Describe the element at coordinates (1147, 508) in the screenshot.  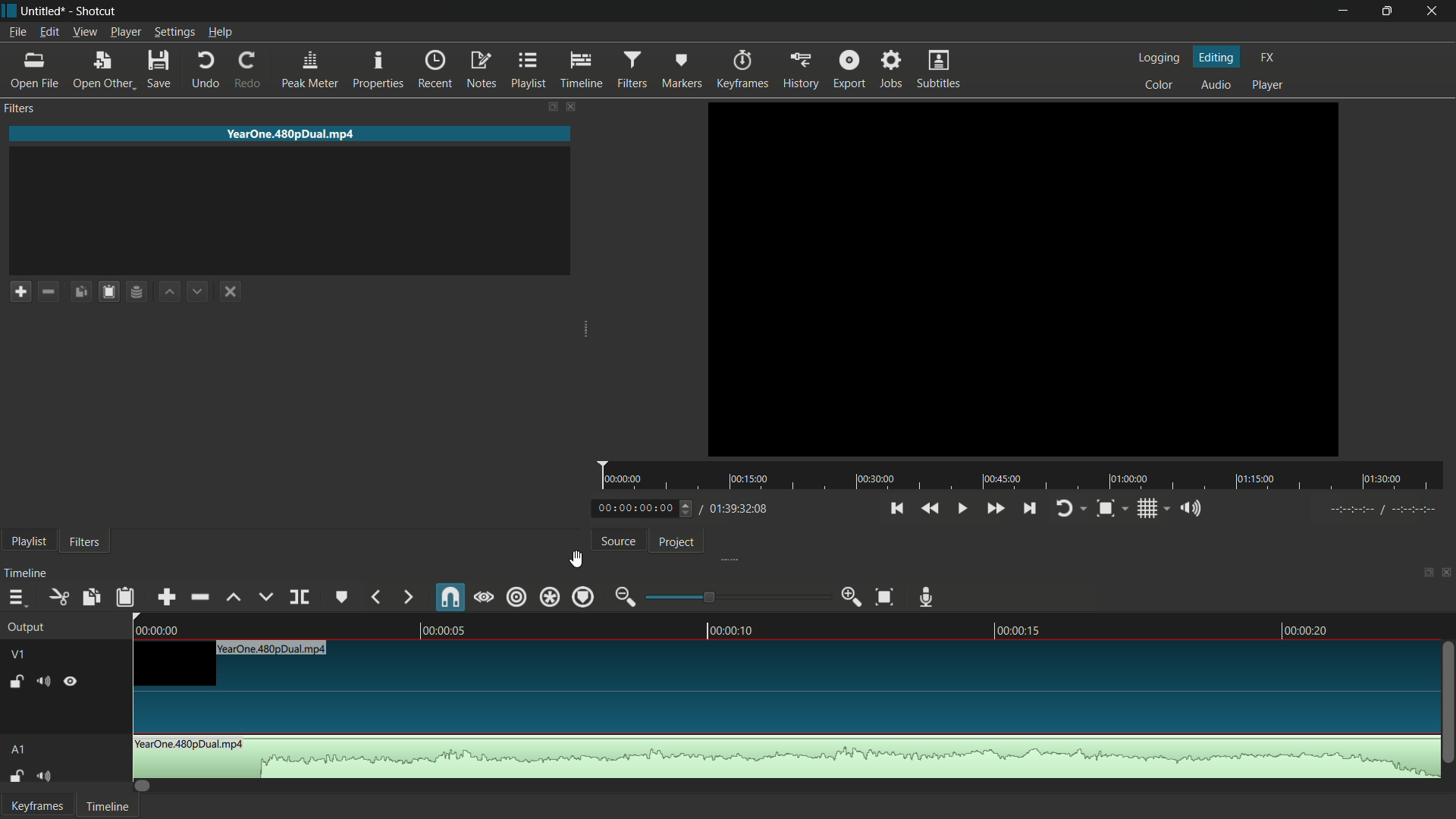
I see `toggle grid` at that location.